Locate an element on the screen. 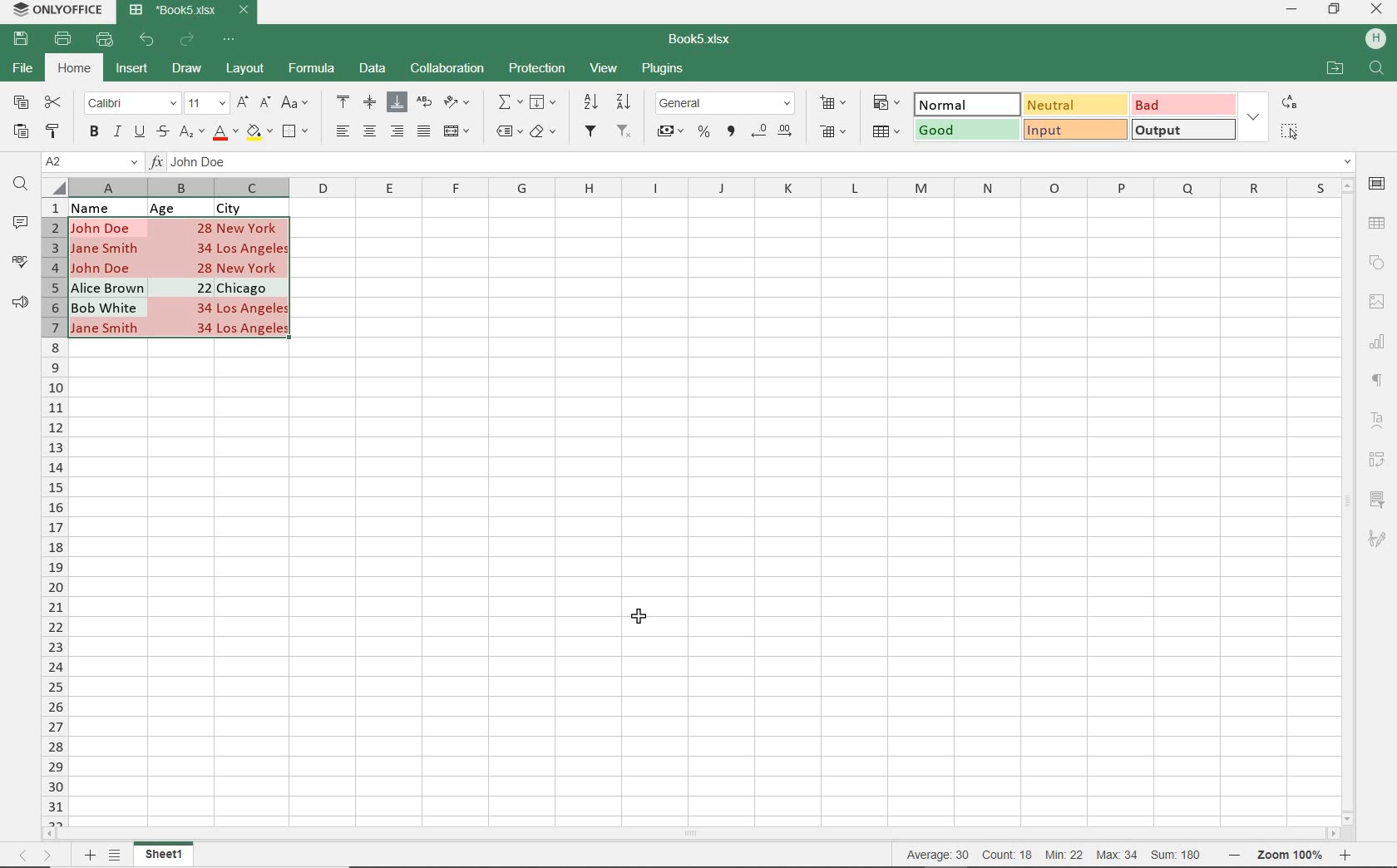 The width and height of the screenshot is (1397, 868). CONDITIONAL FORMATTING ADDED is located at coordinates (182, 279).